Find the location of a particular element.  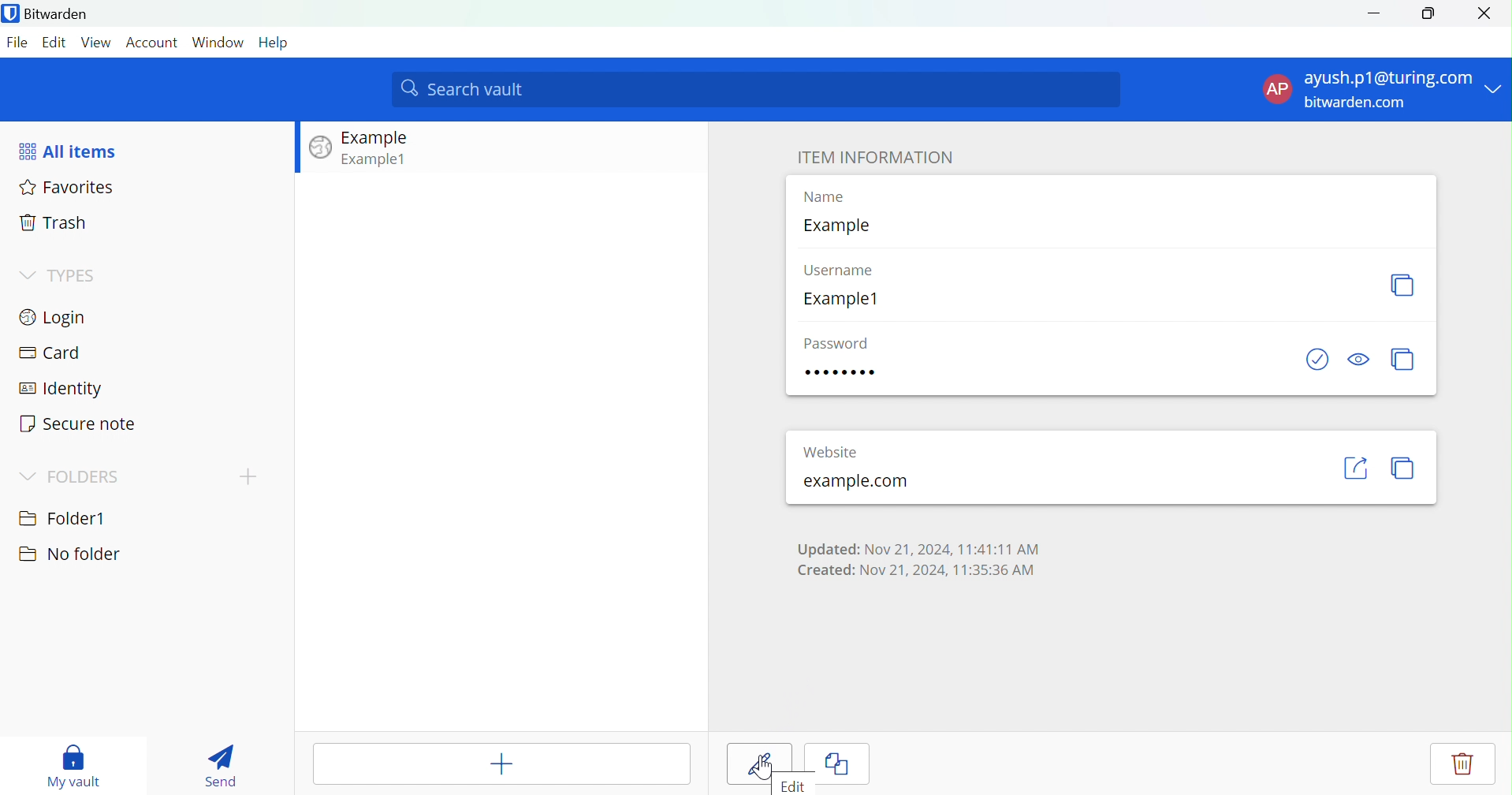

Login is located at coordinates (56, 316).